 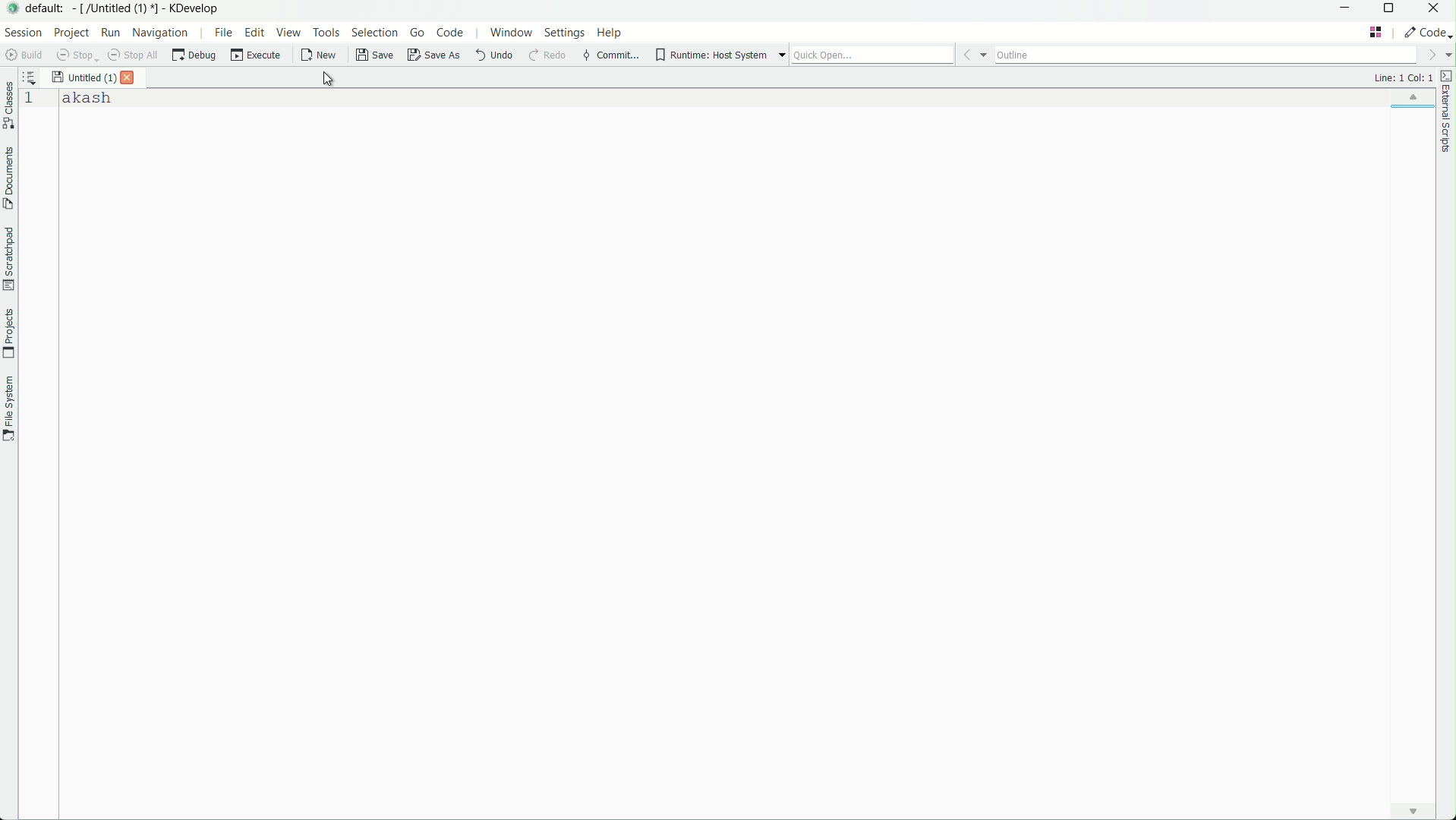 What do you see at coordinates (161, 33) in the screenshot?
I see `navigation` at bounding box center [161, 33].